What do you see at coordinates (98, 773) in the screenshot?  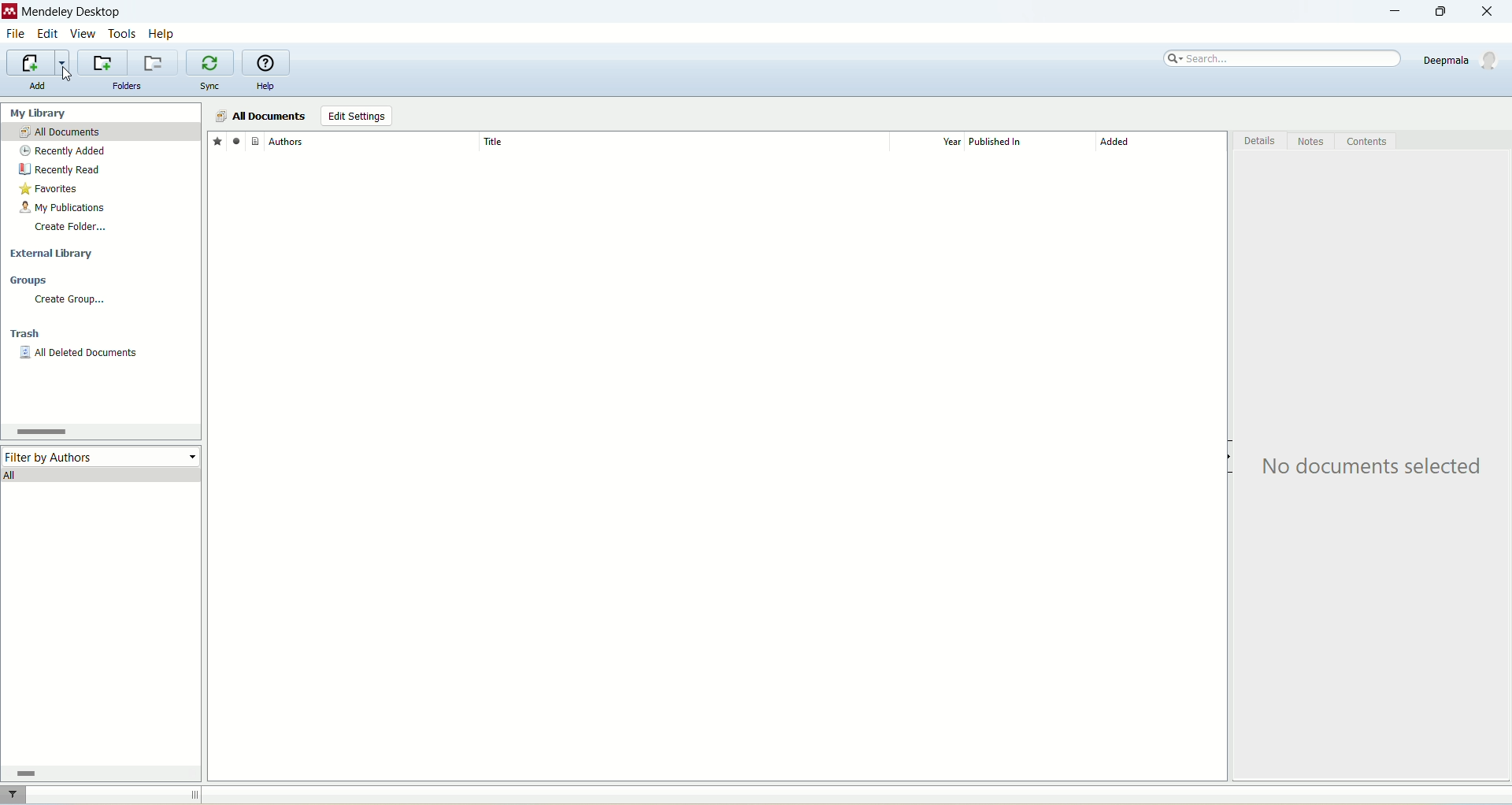 I see `horizontal scroll bar` at bounding box center [98, 773].